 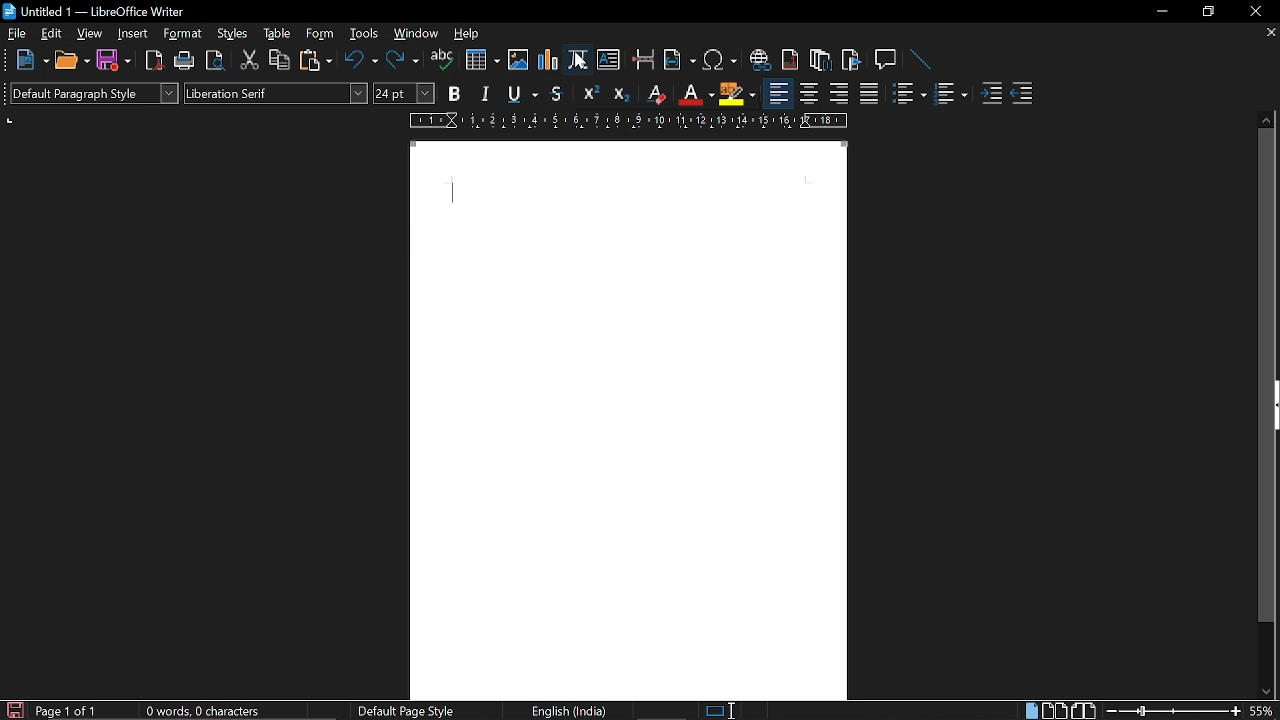 I want to click on subscript, so click(x=618, y=93).